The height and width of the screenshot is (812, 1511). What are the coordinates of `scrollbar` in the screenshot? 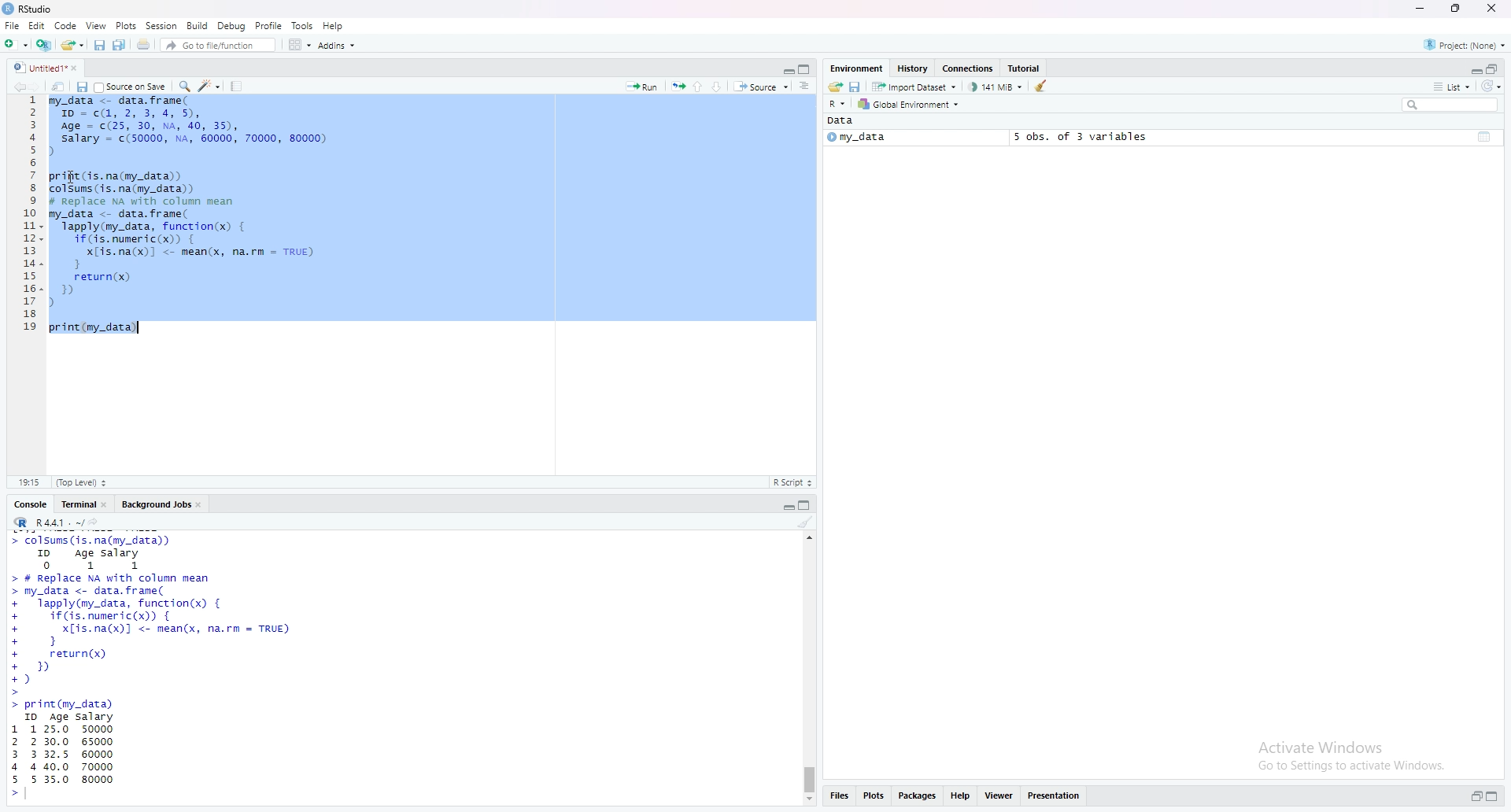 It's located at (809, 669).